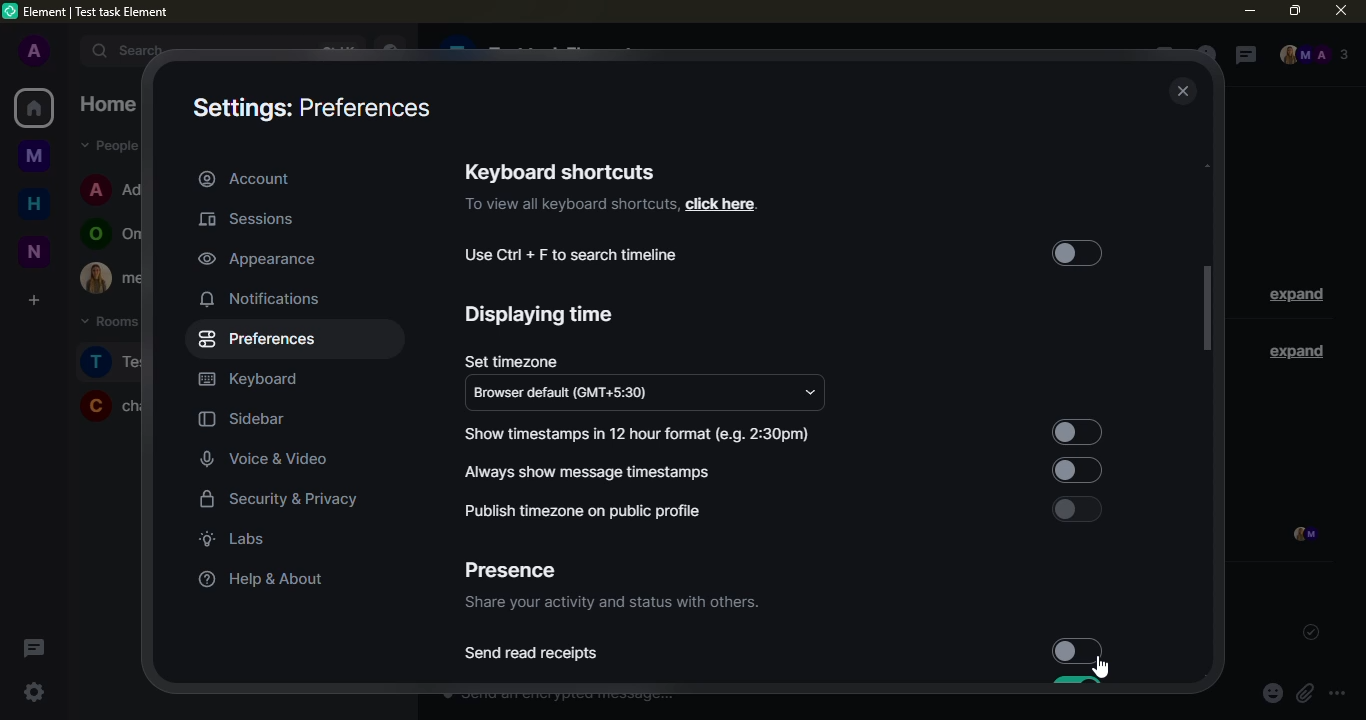 The image size is (1366, 720). What do you see at coordinates (1073, 469) in the screenshot?
I see `enable` at bounding box center [1073, 469].